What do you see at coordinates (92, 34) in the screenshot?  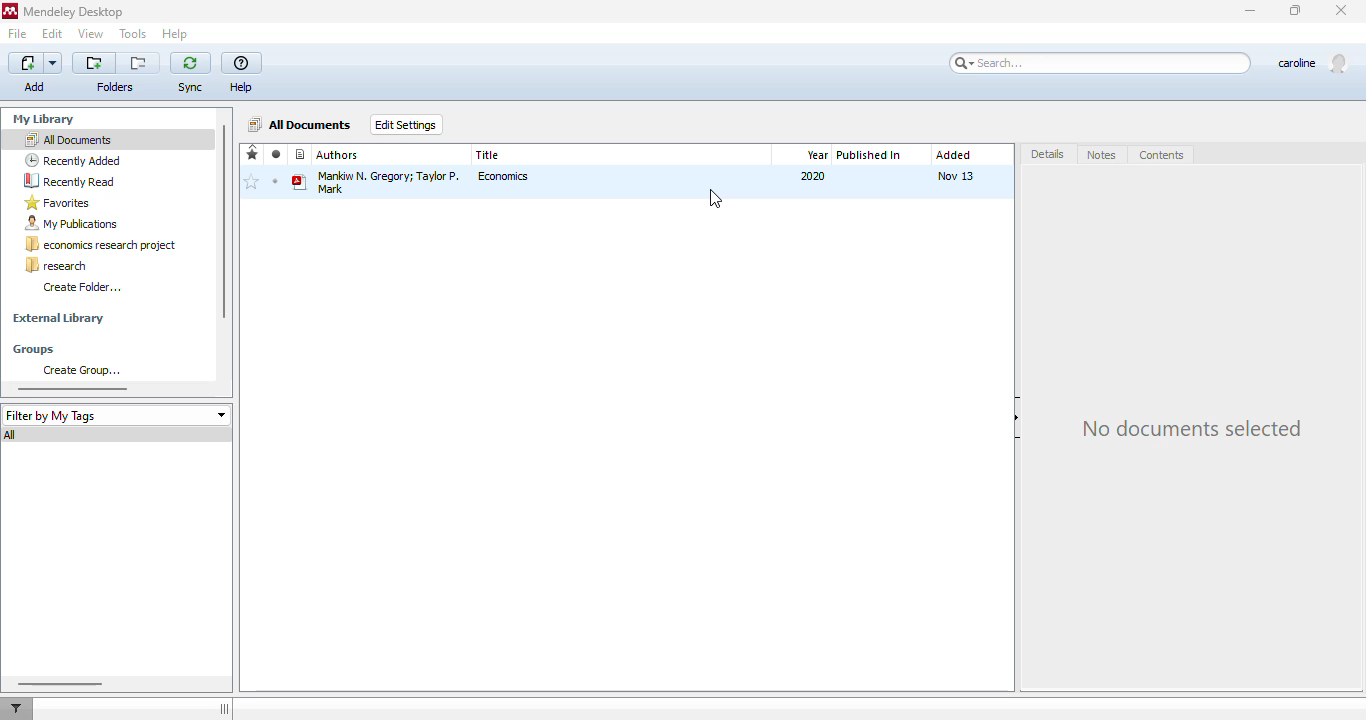 I see `view` at bounding box center [92, 34].